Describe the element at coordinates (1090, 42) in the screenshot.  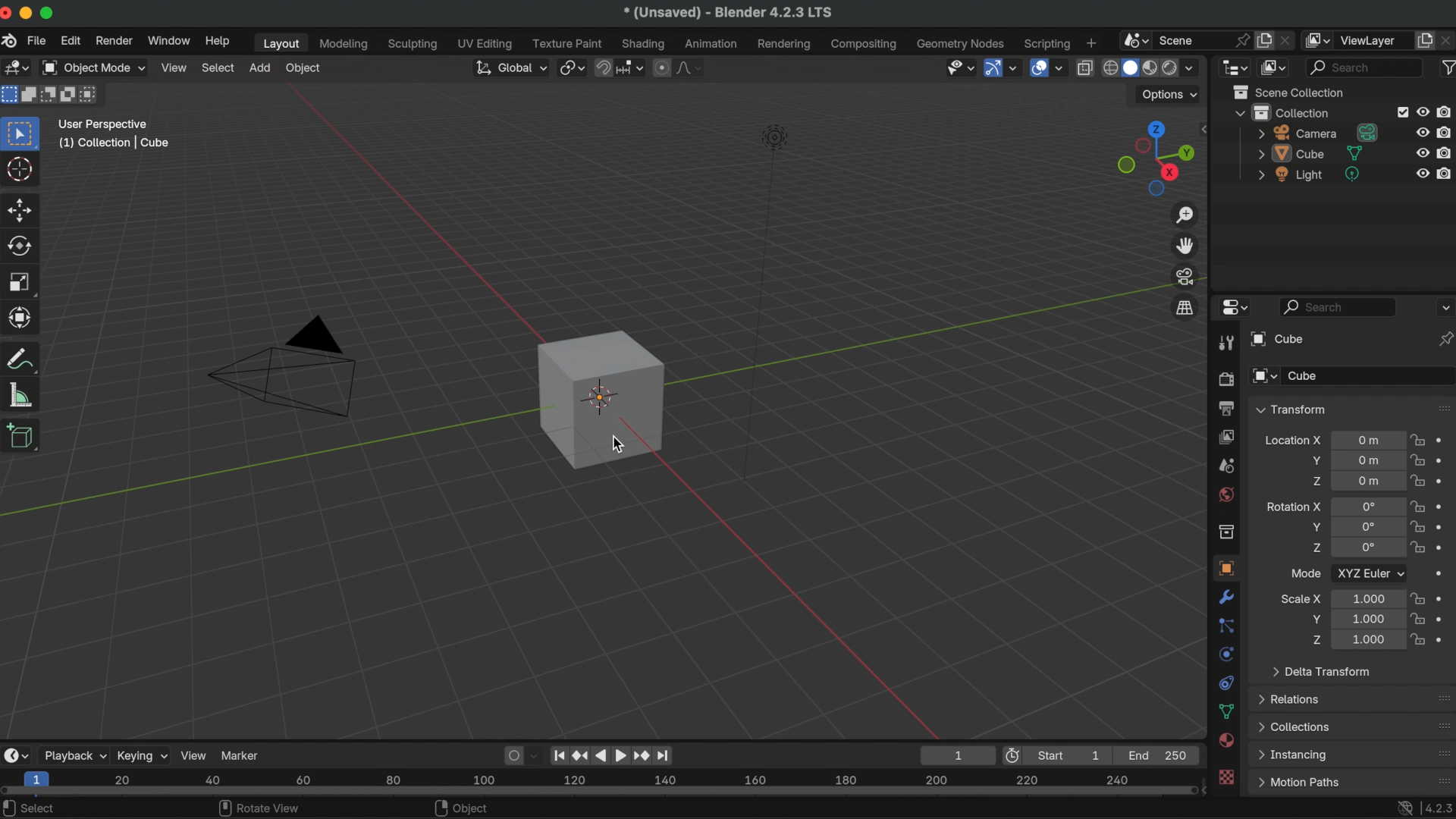
I see `add workspace` at that location.